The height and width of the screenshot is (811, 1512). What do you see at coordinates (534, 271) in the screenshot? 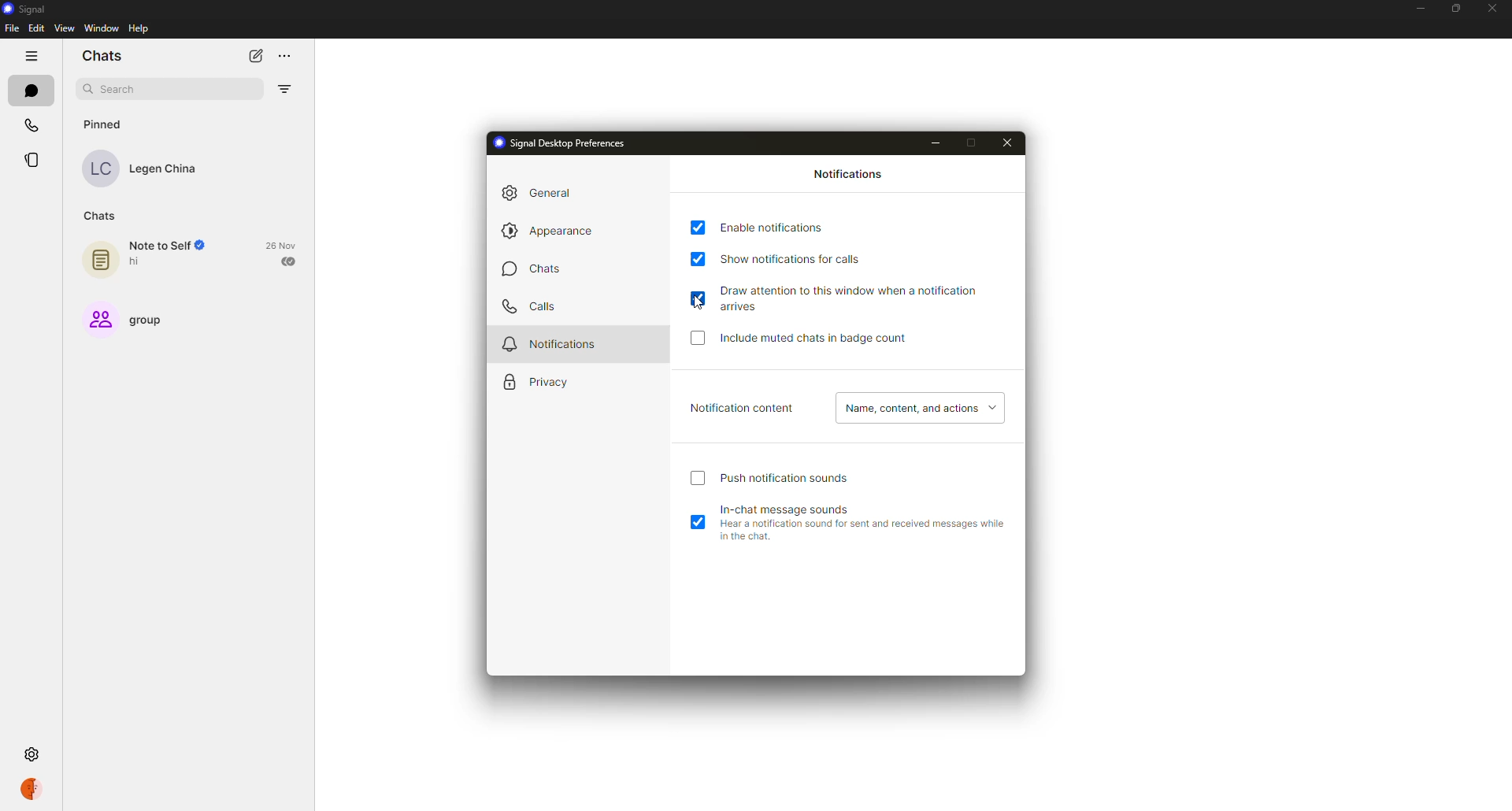
I see `chats` at bounding box center [534, 271].